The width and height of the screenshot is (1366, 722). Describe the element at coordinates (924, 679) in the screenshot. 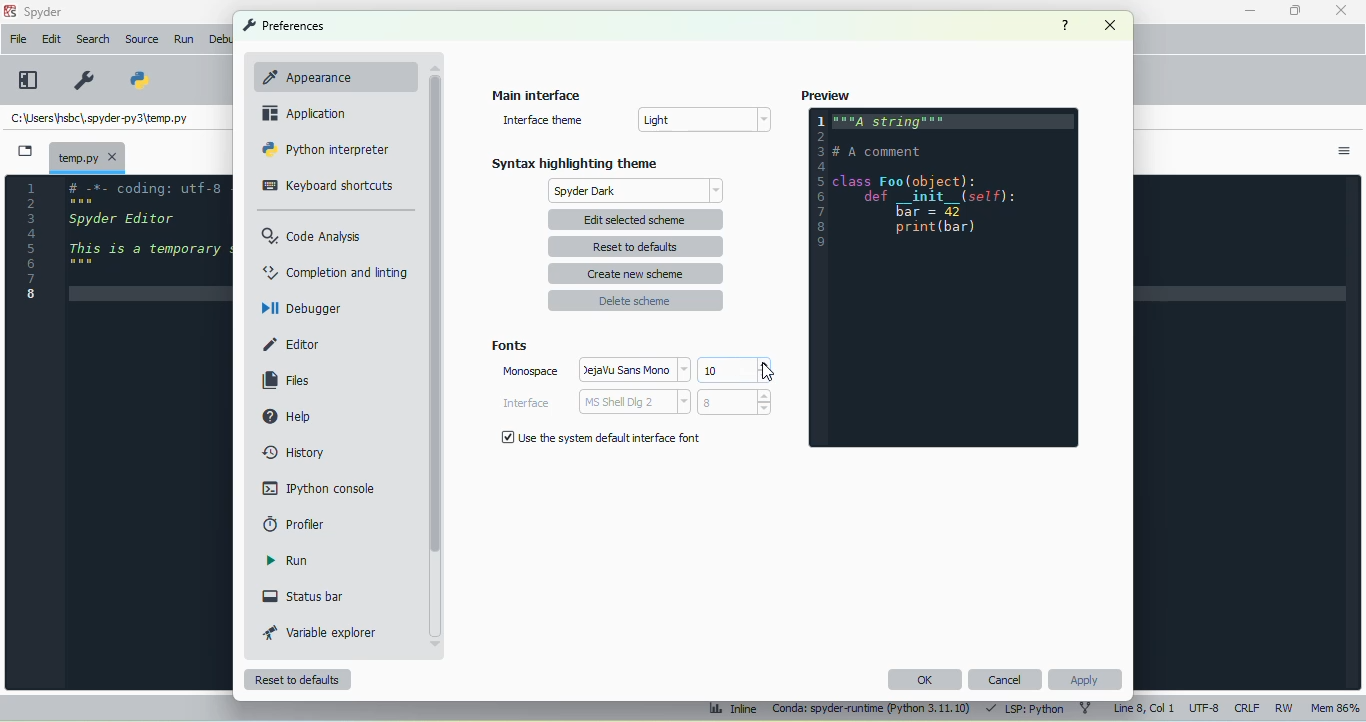

I see `OK` at that location.